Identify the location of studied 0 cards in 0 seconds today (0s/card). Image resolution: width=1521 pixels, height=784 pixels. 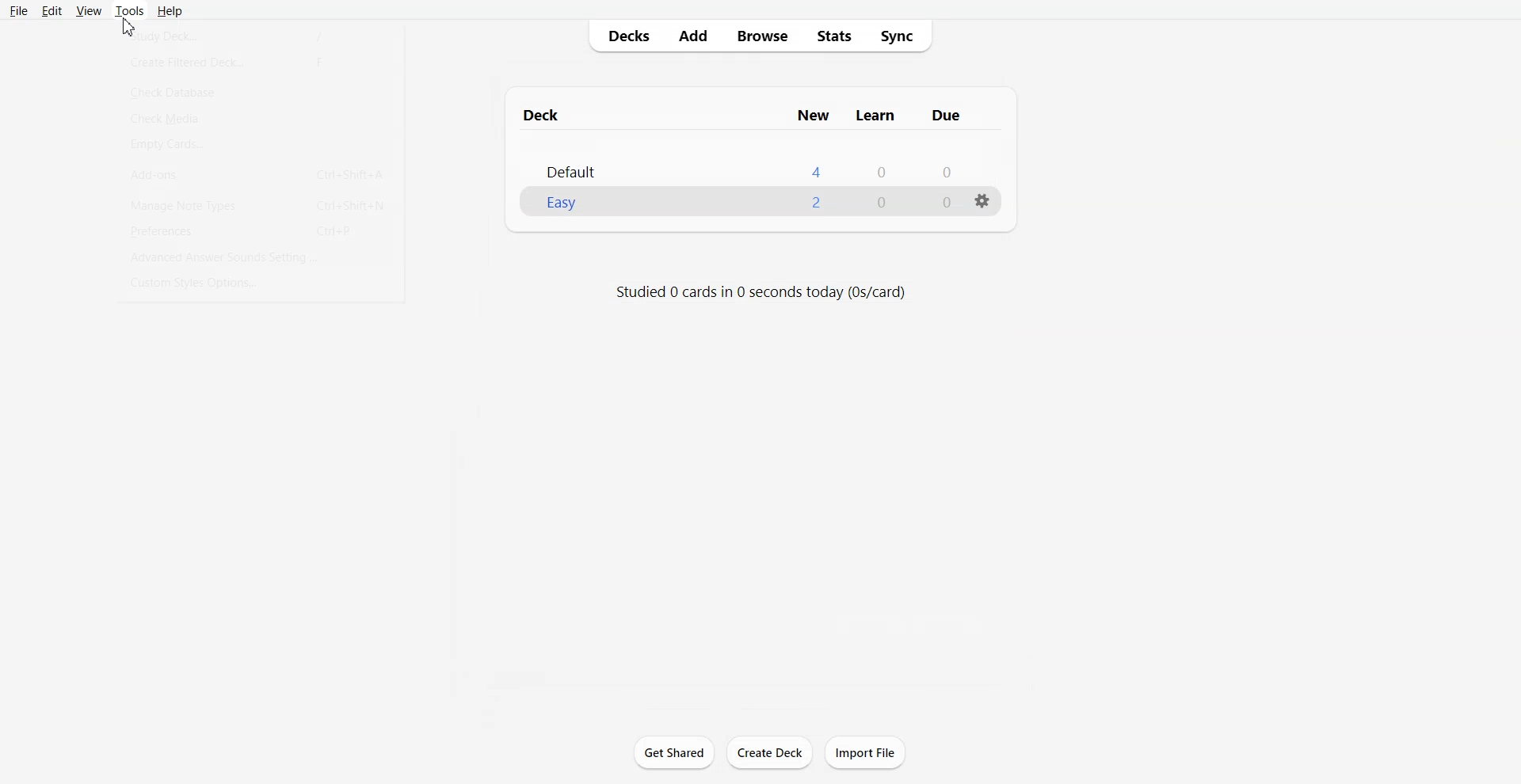
(772, 290).